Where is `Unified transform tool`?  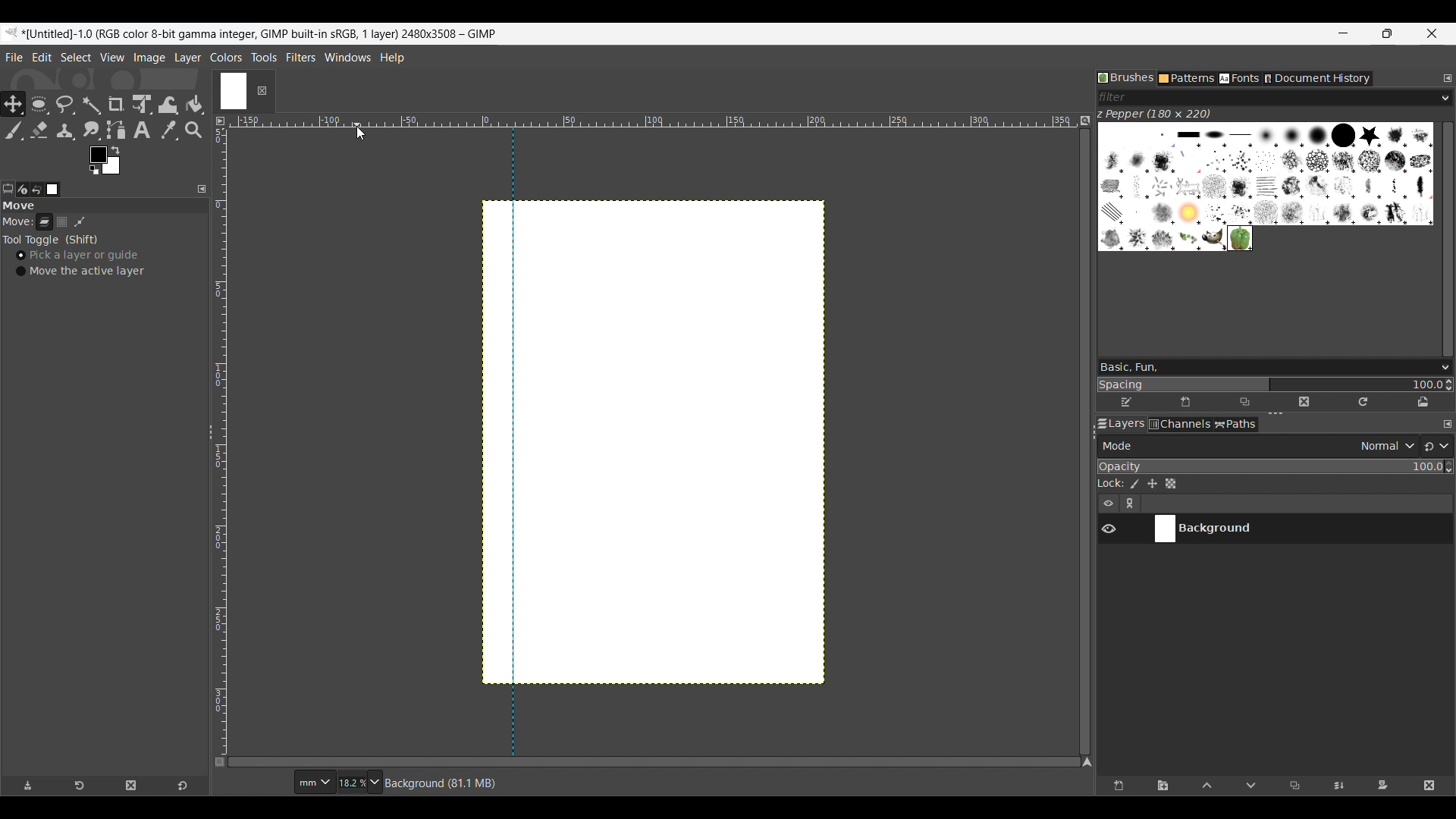
Unified transform tool is located at coordinates (141, 104).